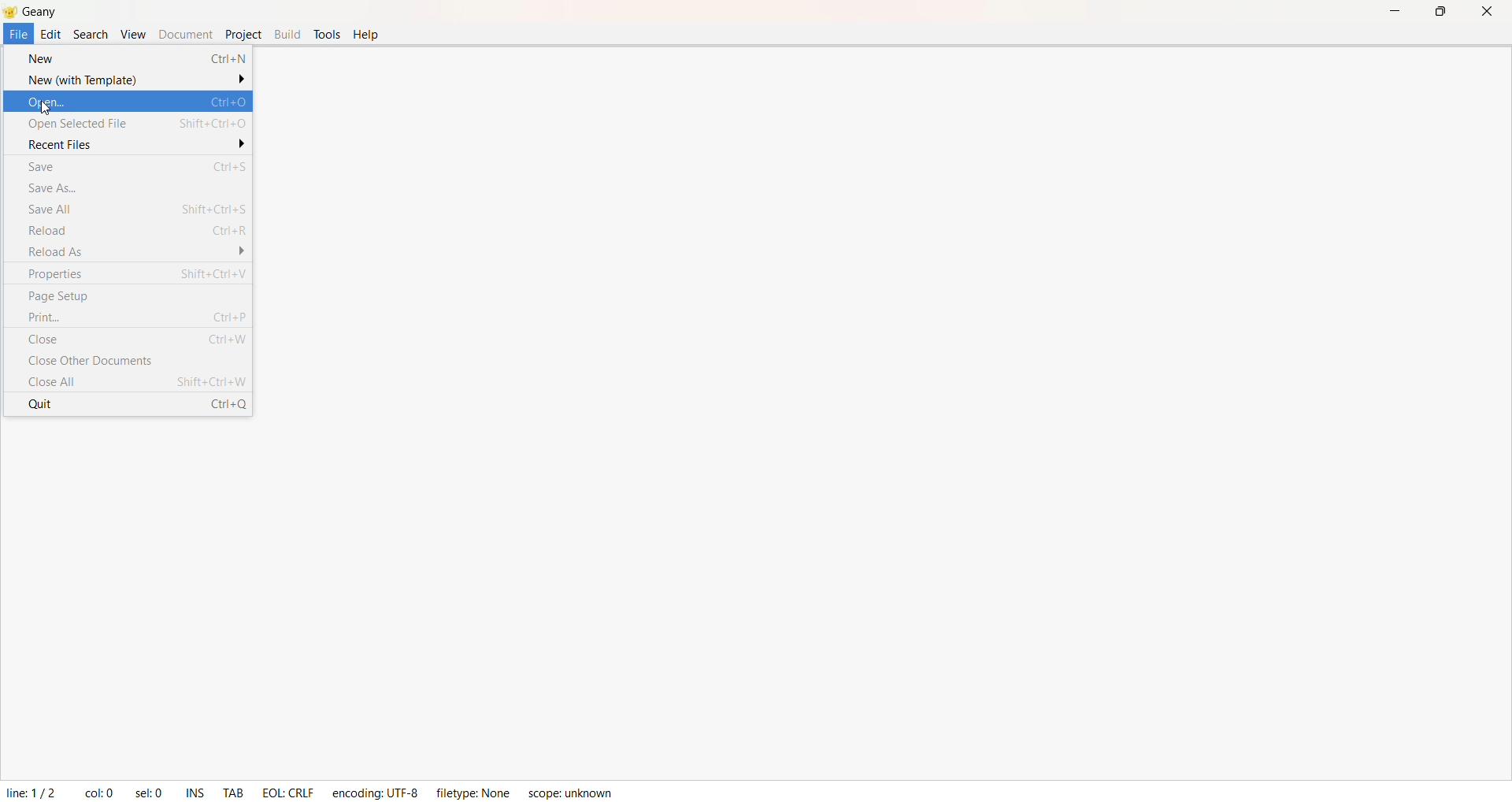 The width and height of the screenshot is (1512, 802). What do you see at coordinates (328, 34) in the screenshot?
I see `Tools` at bounding box center [328, 34].